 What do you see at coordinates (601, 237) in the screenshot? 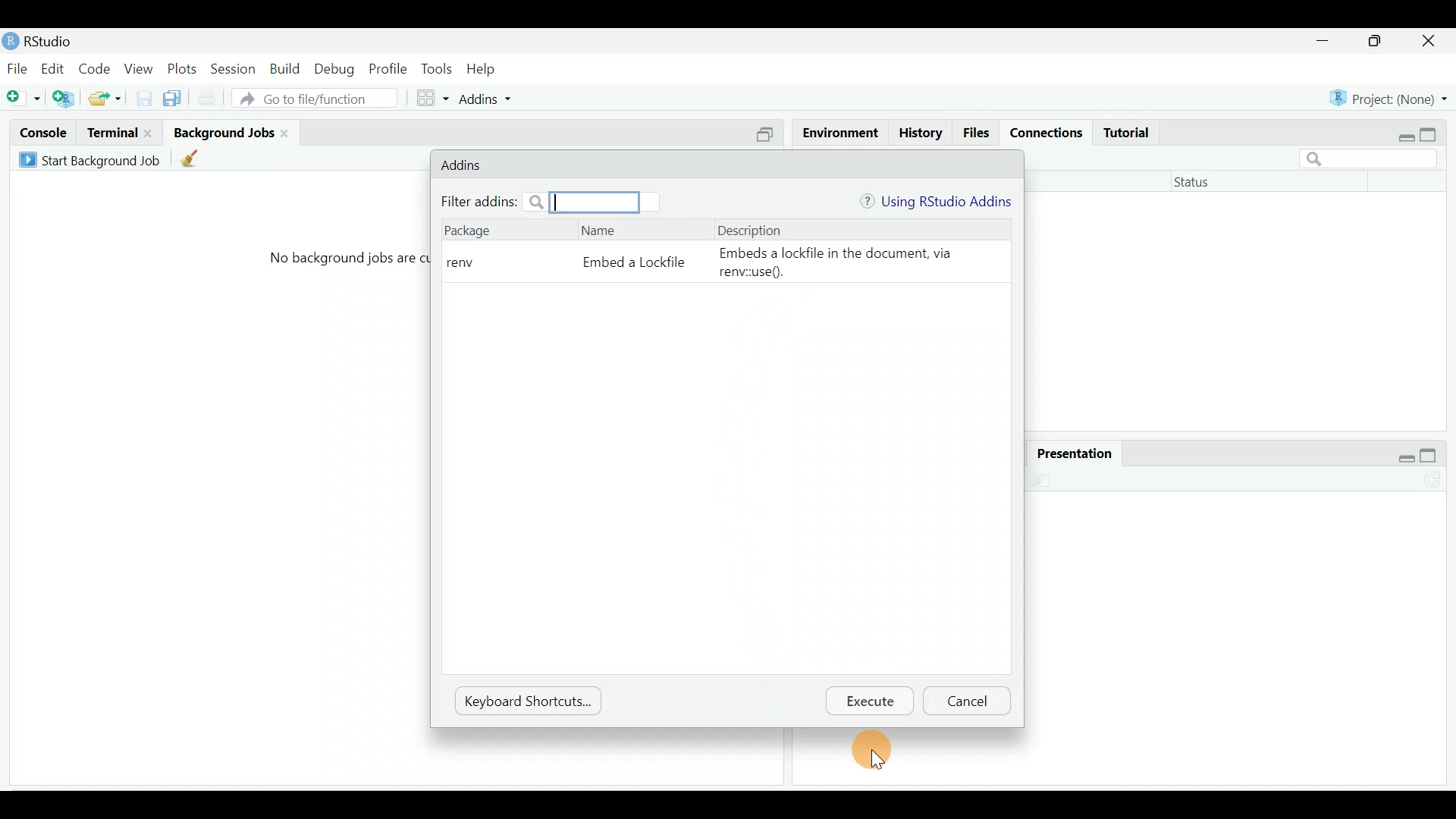
I see `Name` at bounding box center [601, 237].